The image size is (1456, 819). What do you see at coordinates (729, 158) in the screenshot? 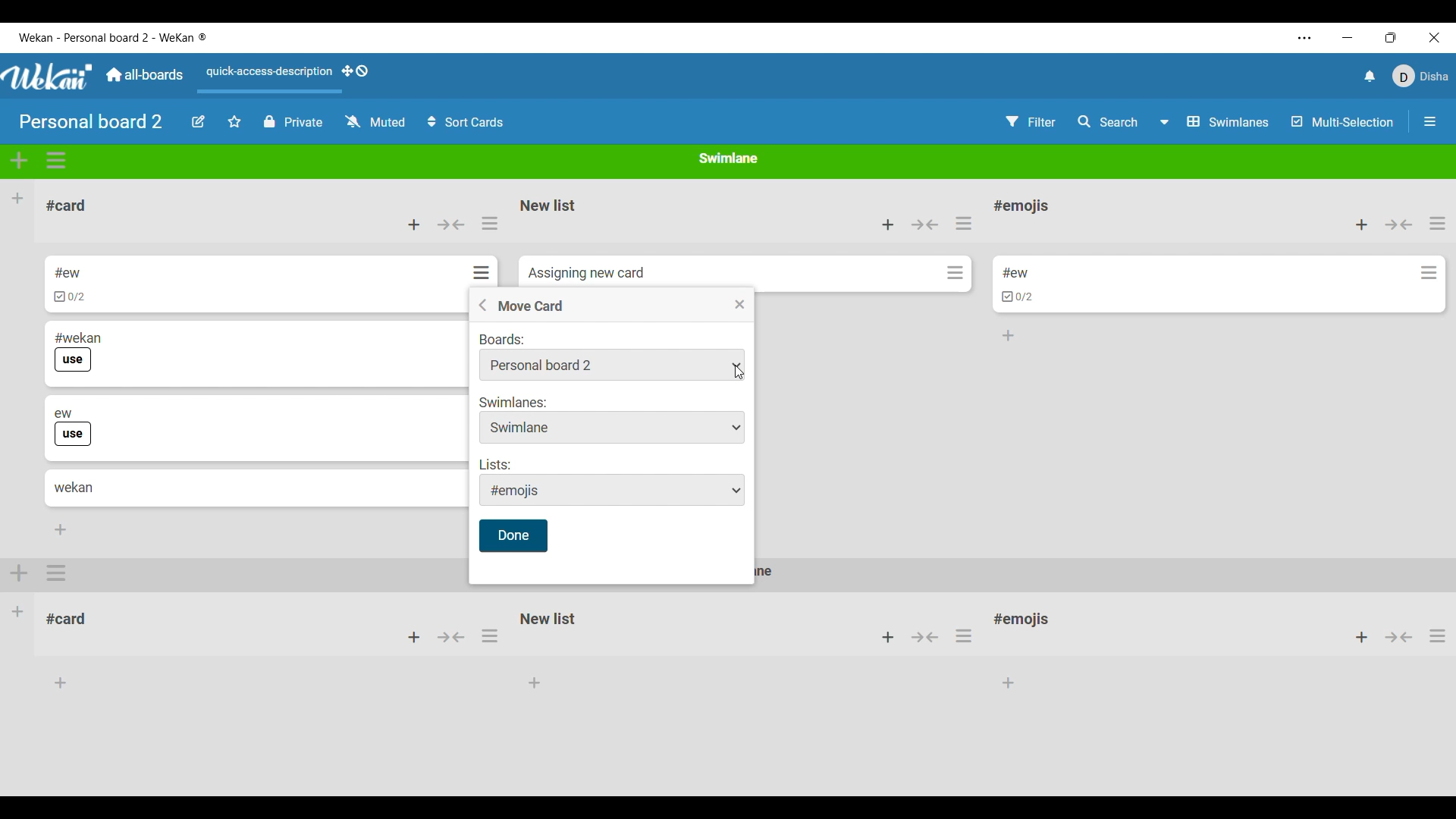
I see `Current swimlane` at bounding box center [729, 158].